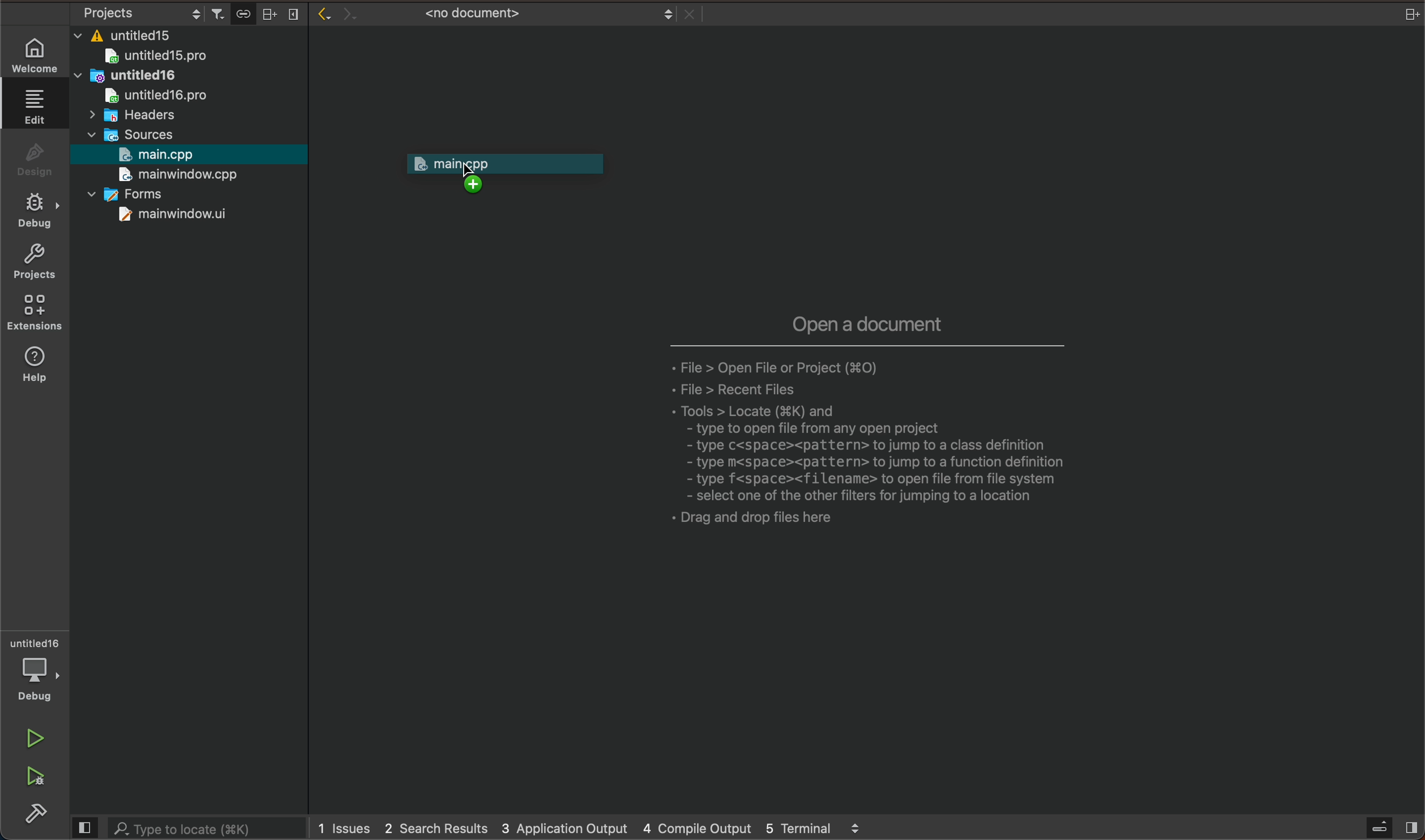 This screenshot has width=1425, height=840. What do you see at coordinates (566, 826) in the screenshot?
I see `3 application output` at bounding box center [566, 826].